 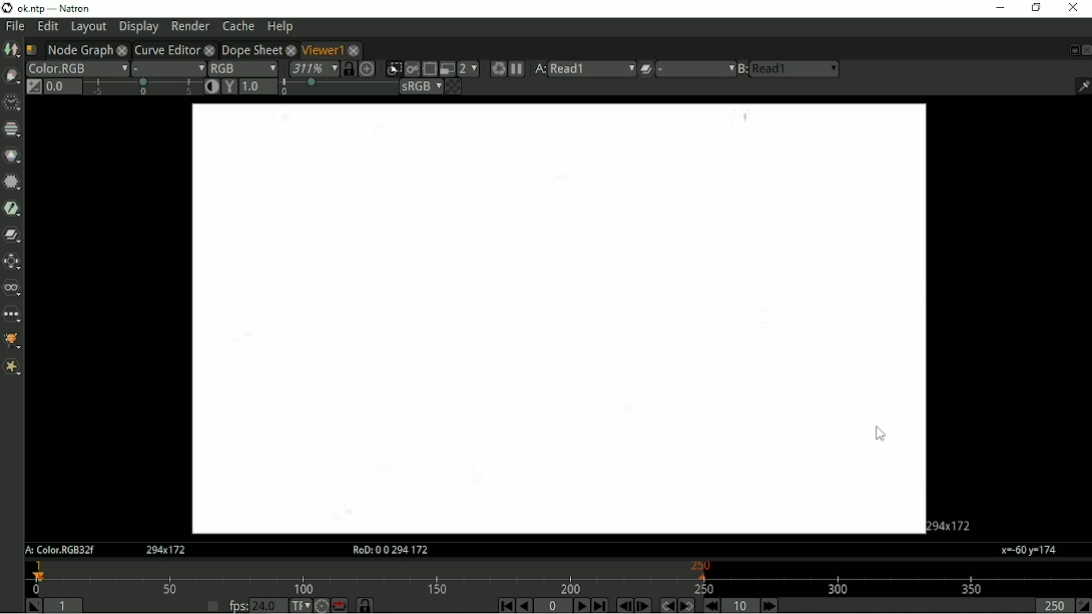 I want to click on 1.0, so click(x=258, y=86).